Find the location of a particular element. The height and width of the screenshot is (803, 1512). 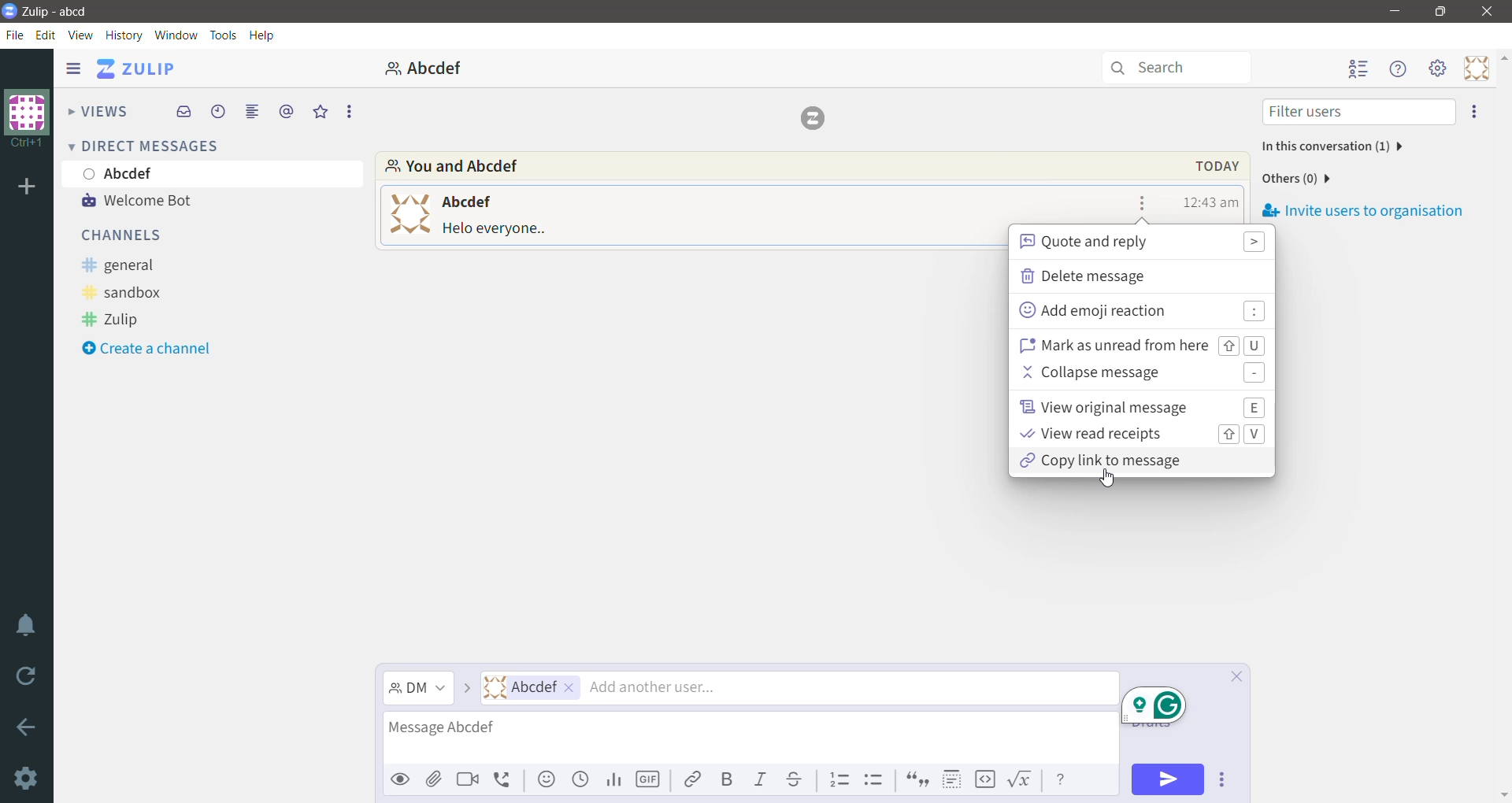

Message Date, Time is located at coordinates (1209, 166).